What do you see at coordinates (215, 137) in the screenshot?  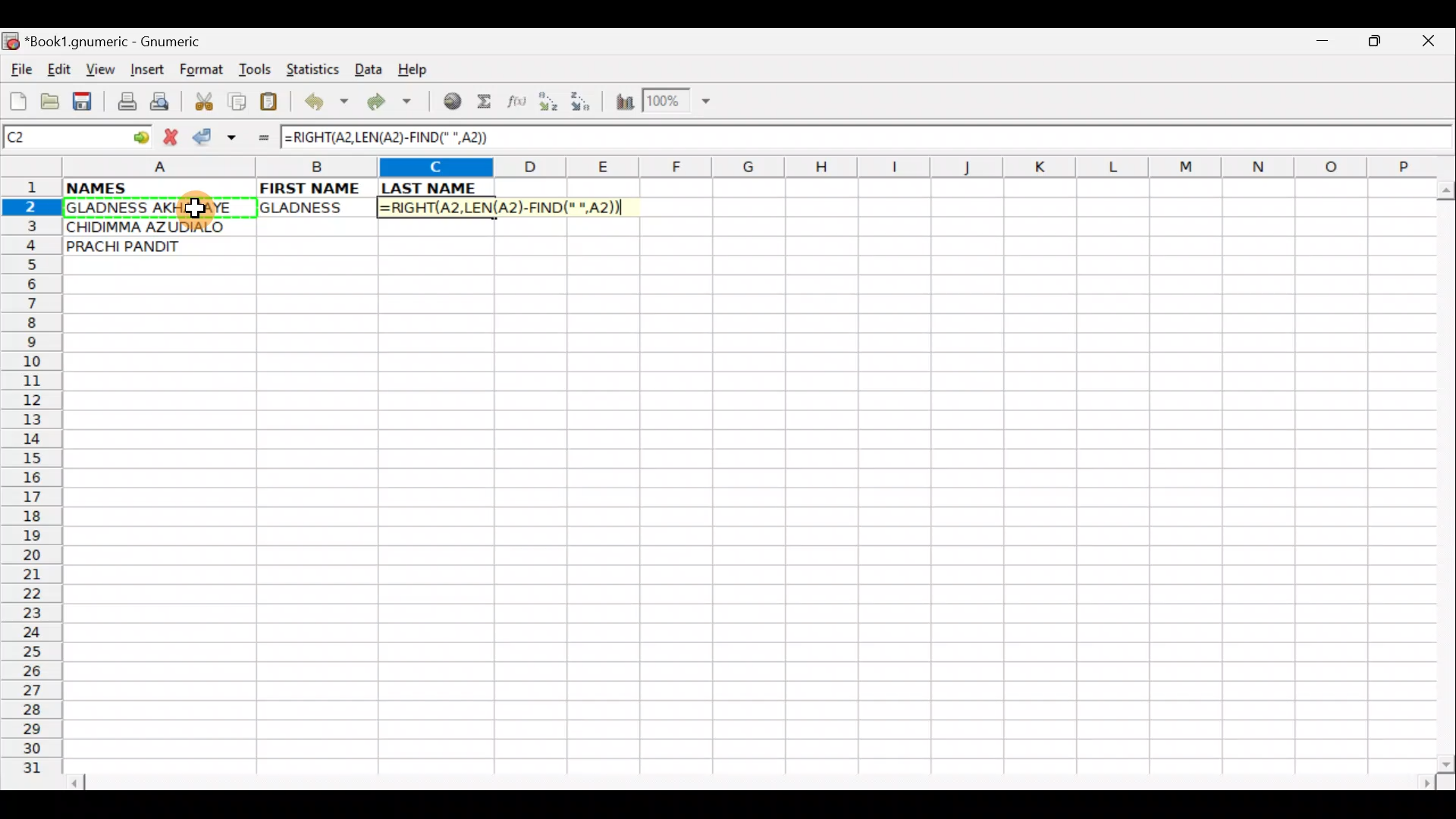 I see `Accept change` at bounding box center [215, 137].